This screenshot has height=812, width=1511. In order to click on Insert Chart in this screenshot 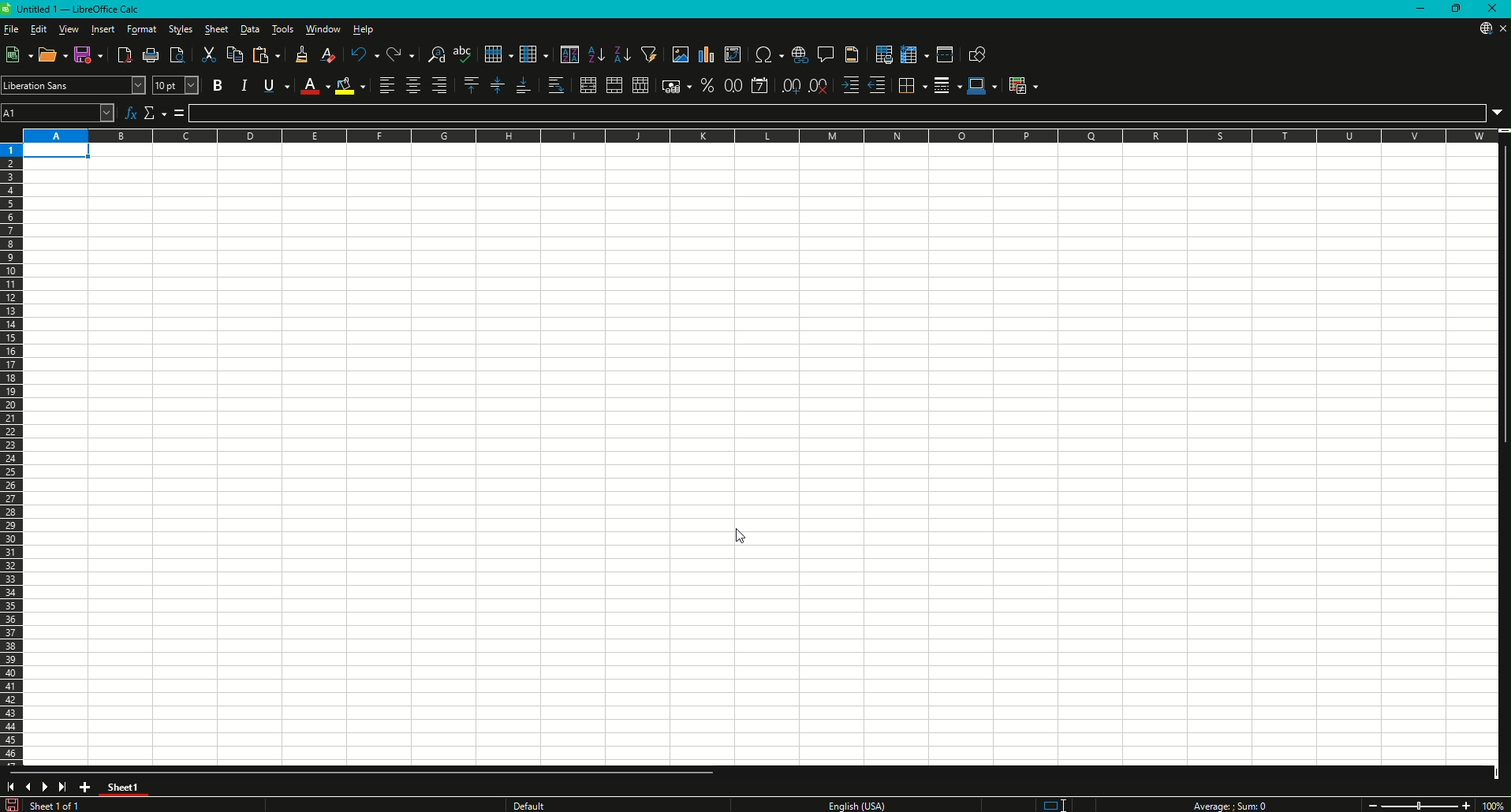, I will do `click(707, 54)`.